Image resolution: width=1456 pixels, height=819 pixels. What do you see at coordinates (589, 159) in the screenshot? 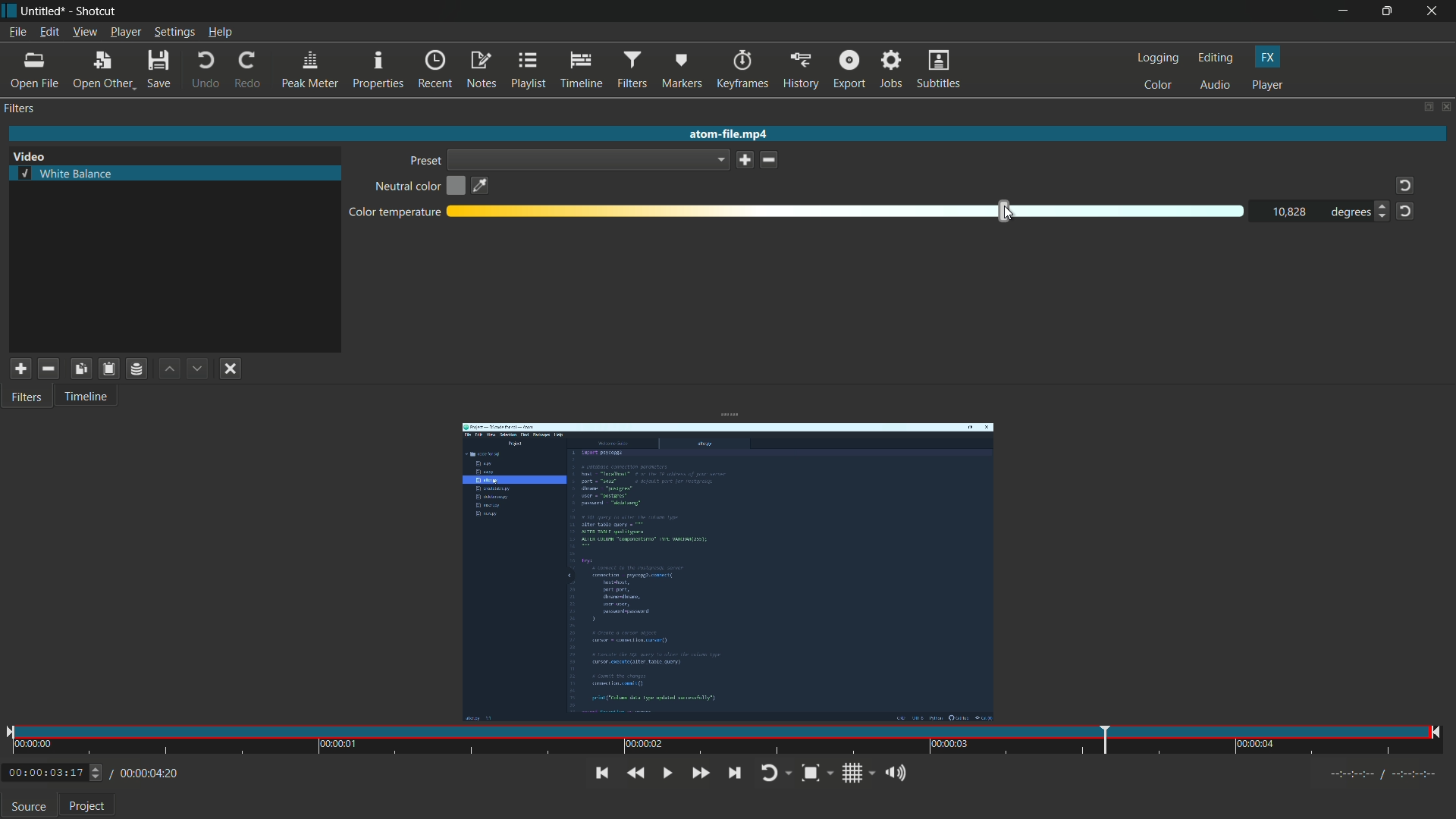
I see `dropdown` at bounding box center [589, 159].